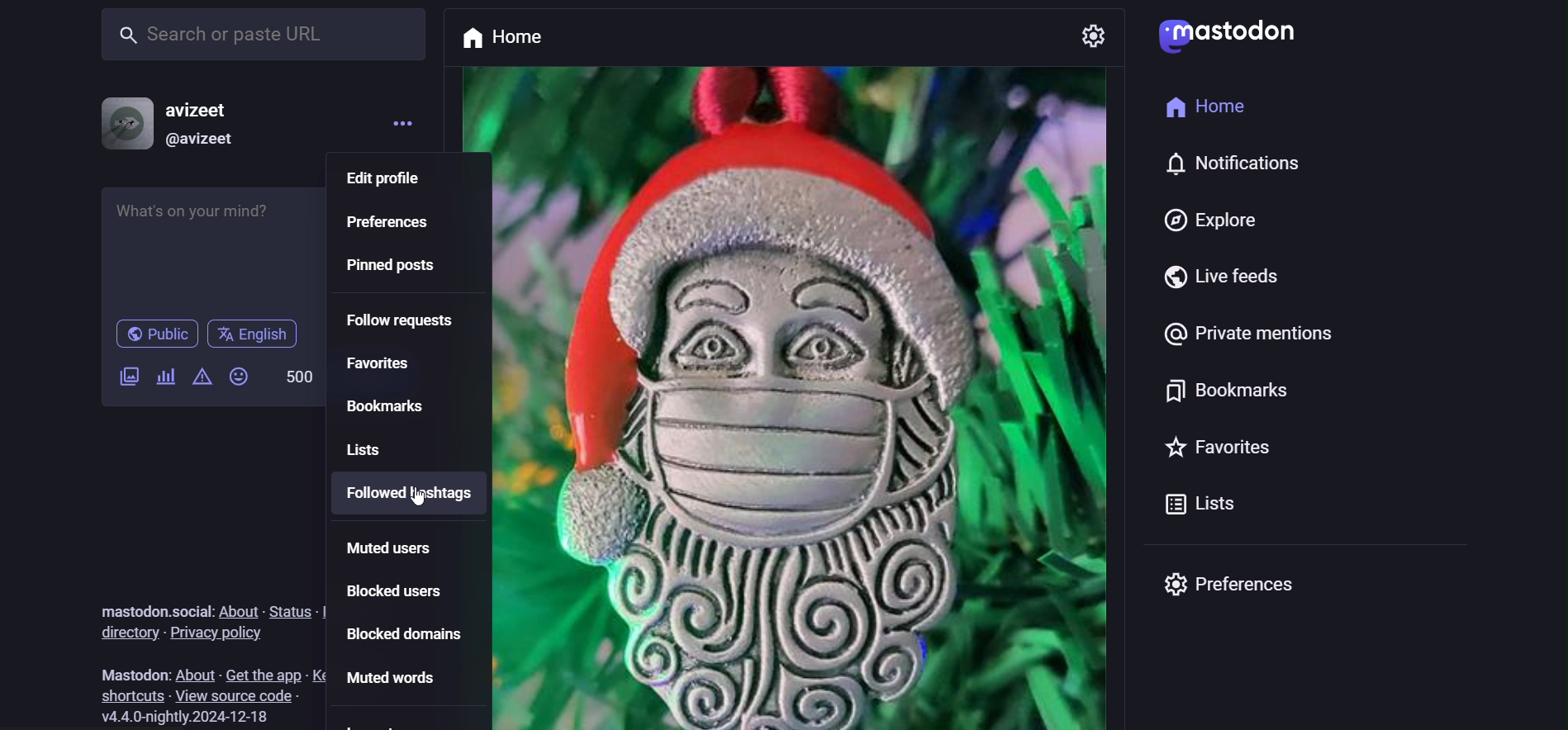 The width and height of the screenshot is (1568, 730). I want to click on edit profile, so click(386, 180).